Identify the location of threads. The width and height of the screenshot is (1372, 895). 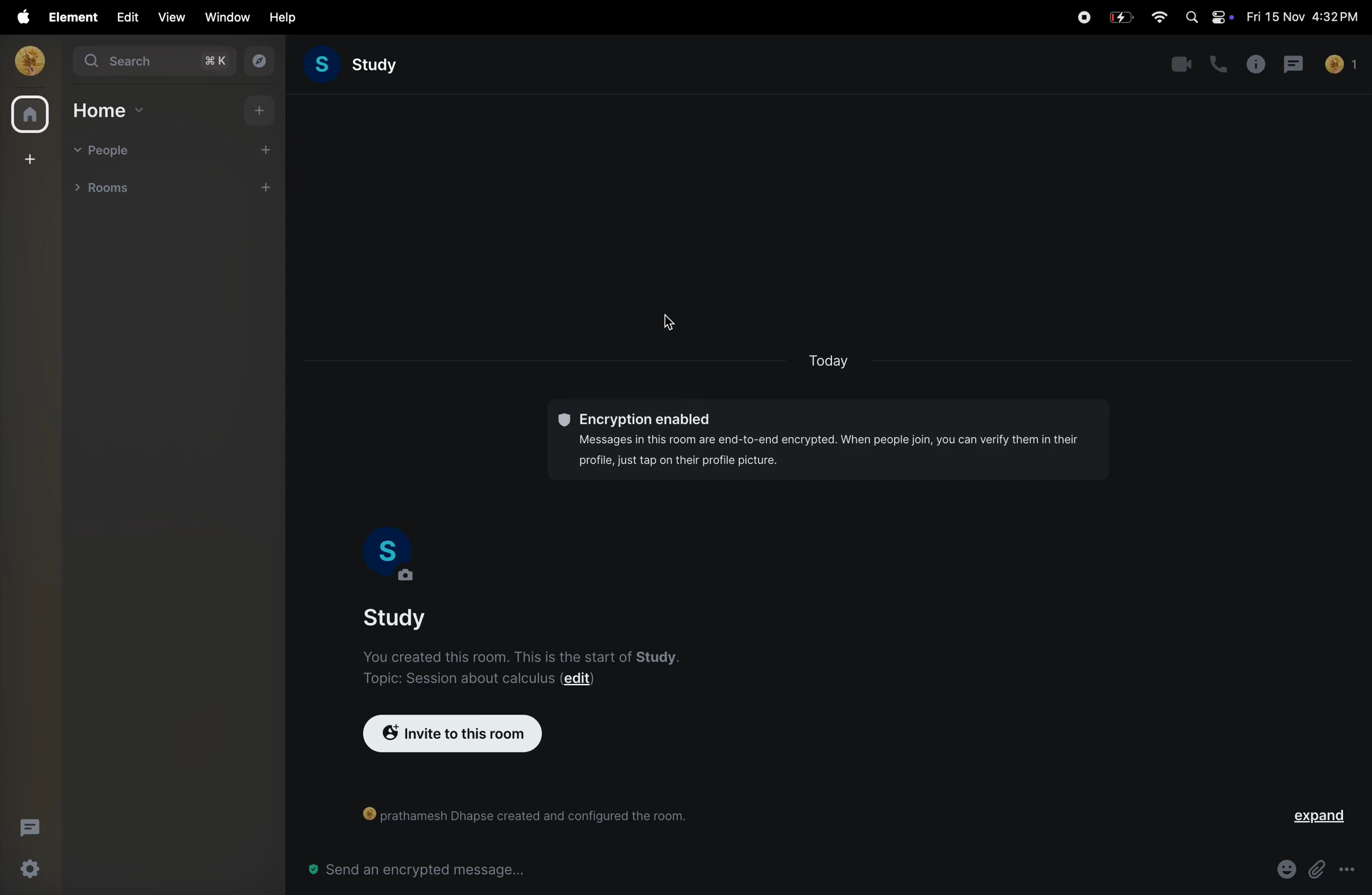
(28, 827).